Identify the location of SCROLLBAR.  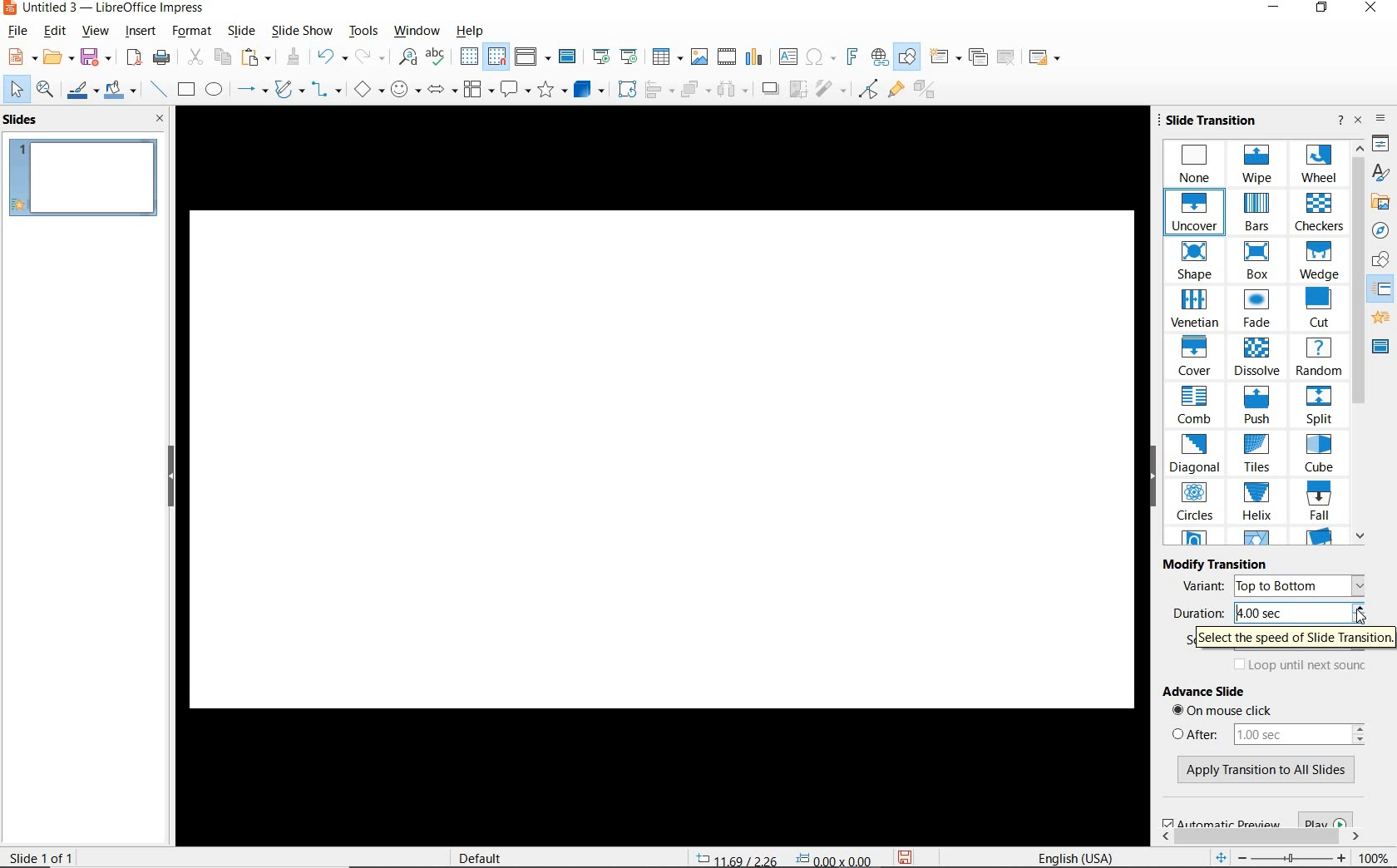
(1138, 467).